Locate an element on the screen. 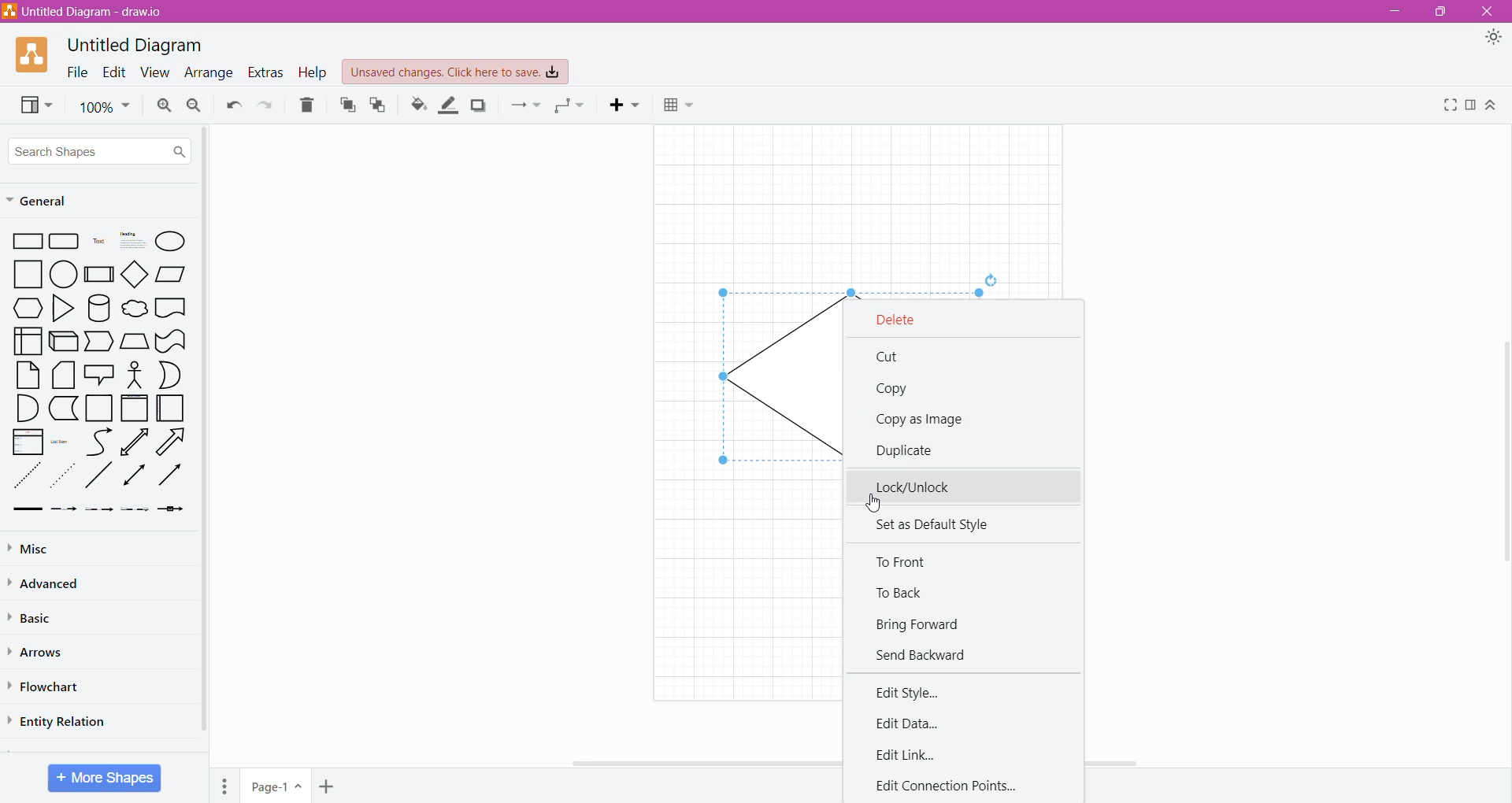 The height and width of the screenshot is (803, 1512). Insert Page is located at coordinates (326, 787).